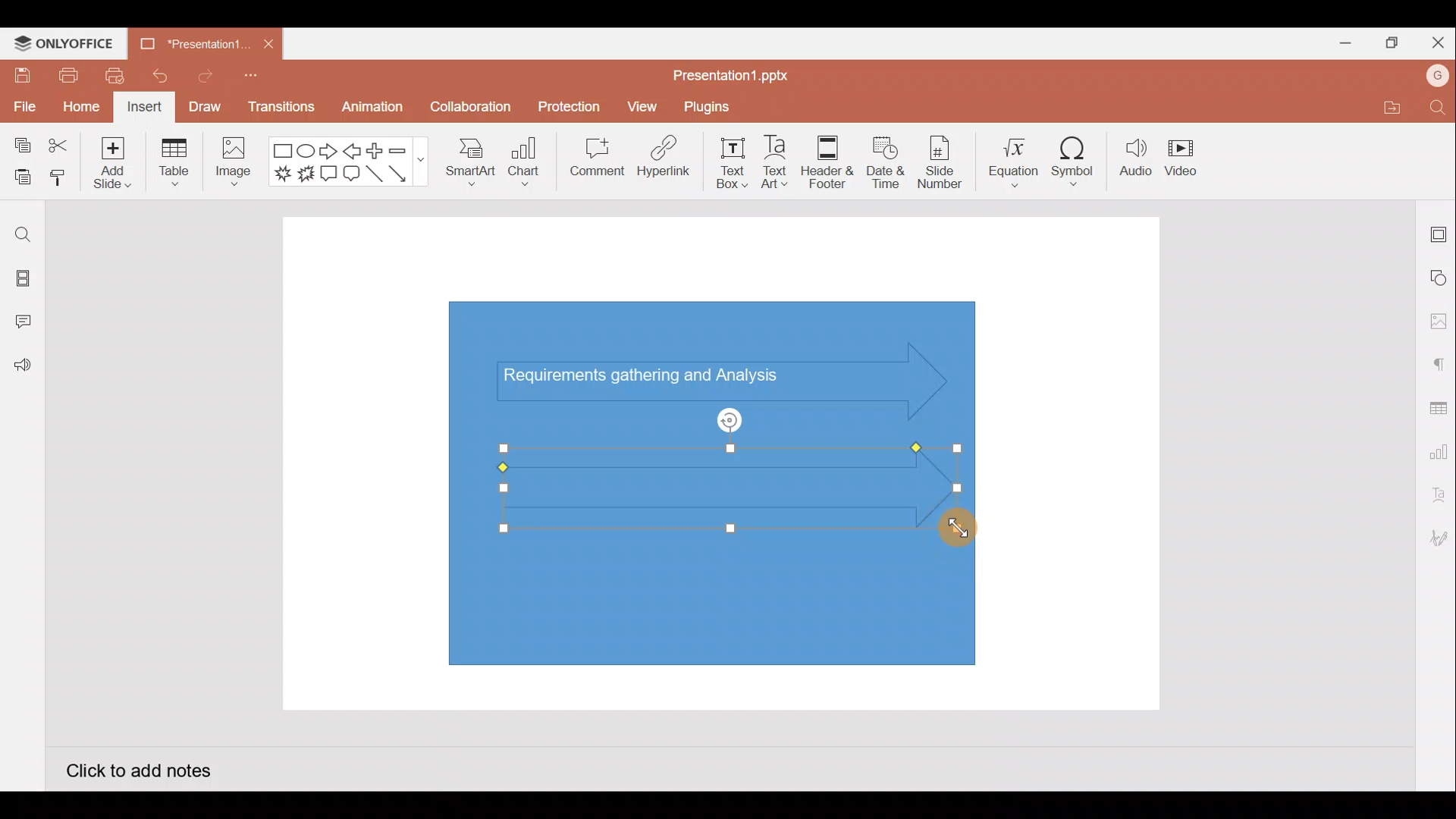  Describe the element at coordinates (591, 160) in the screenshot. I see `Comment` at that location.